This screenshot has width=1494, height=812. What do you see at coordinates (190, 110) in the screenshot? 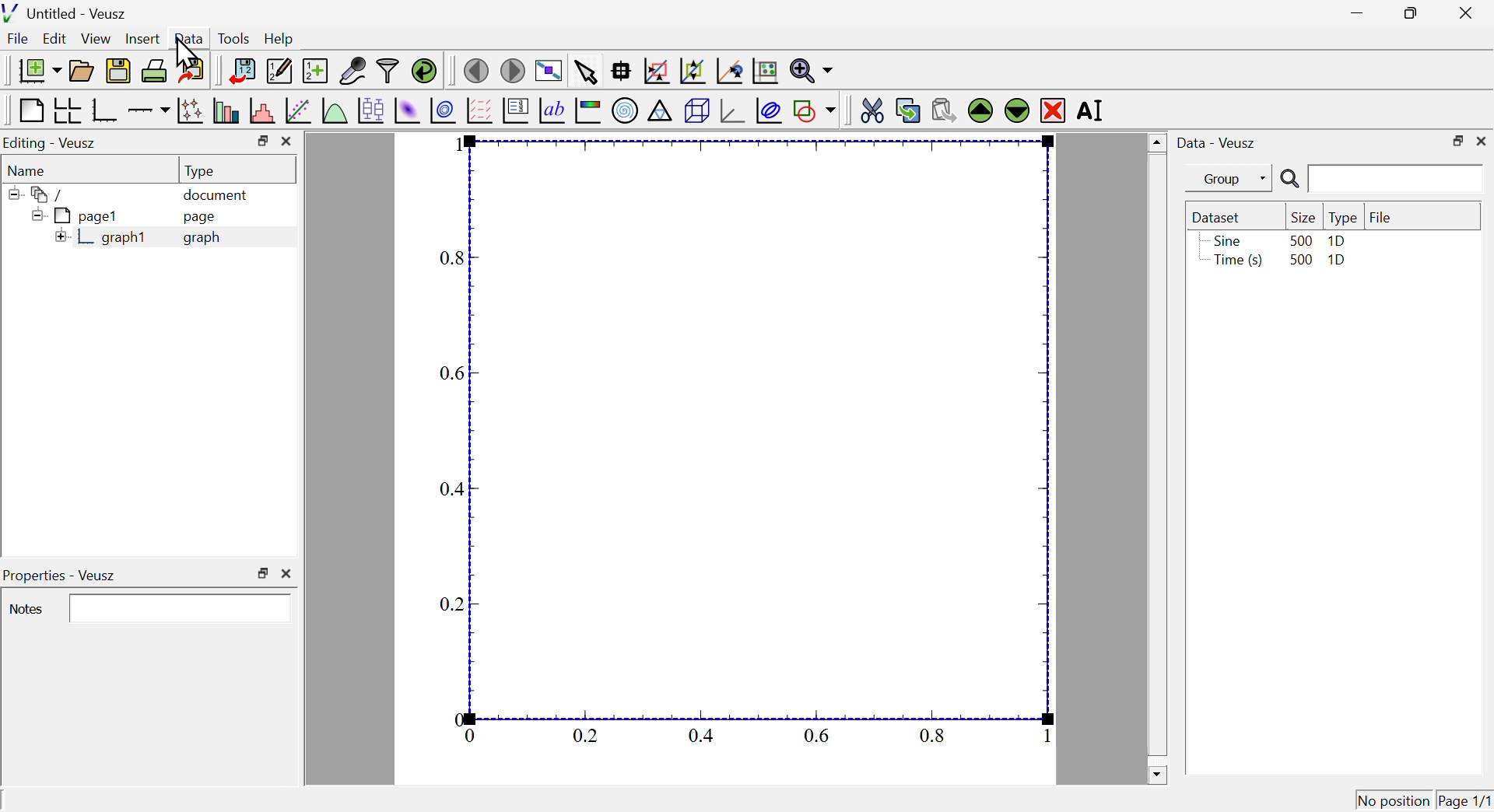
I see `plot points with lines and errorbars` at bounding box center [190, 110].